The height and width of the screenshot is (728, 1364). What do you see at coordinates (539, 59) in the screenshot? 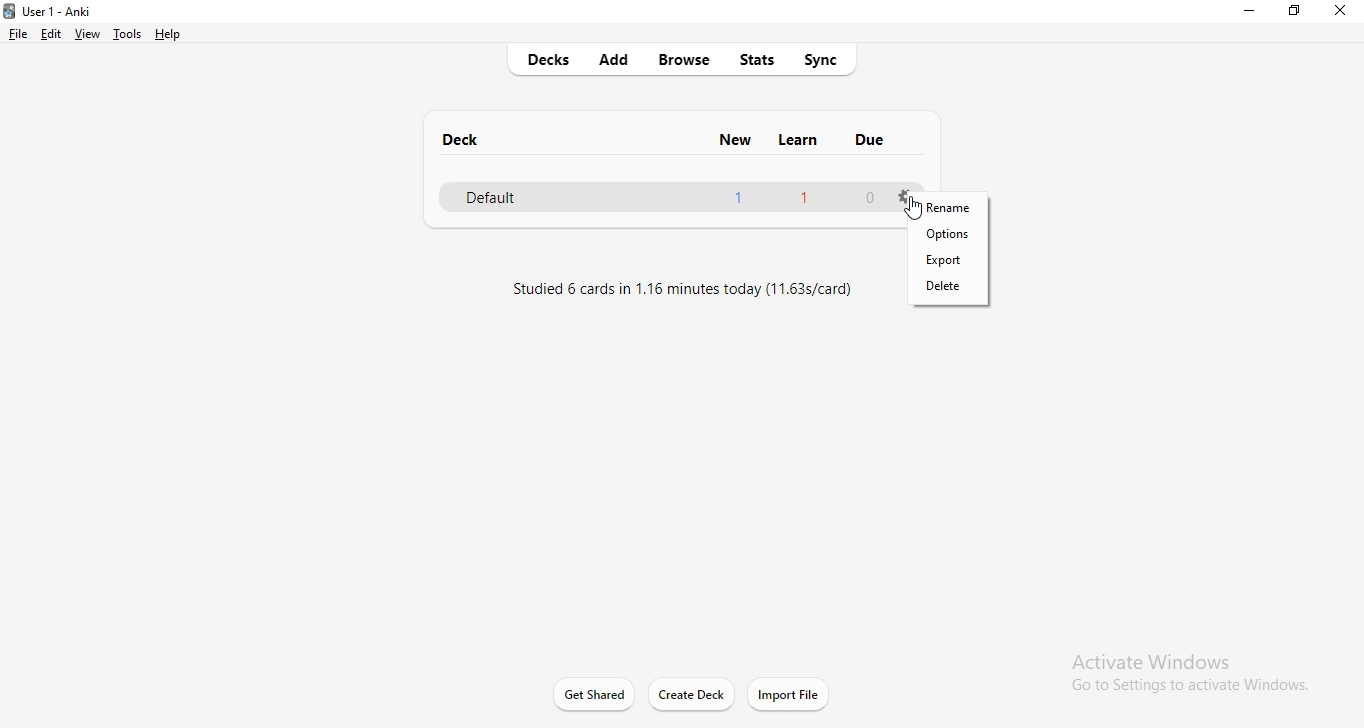
I see `decks` at bounding box center [539, 59].